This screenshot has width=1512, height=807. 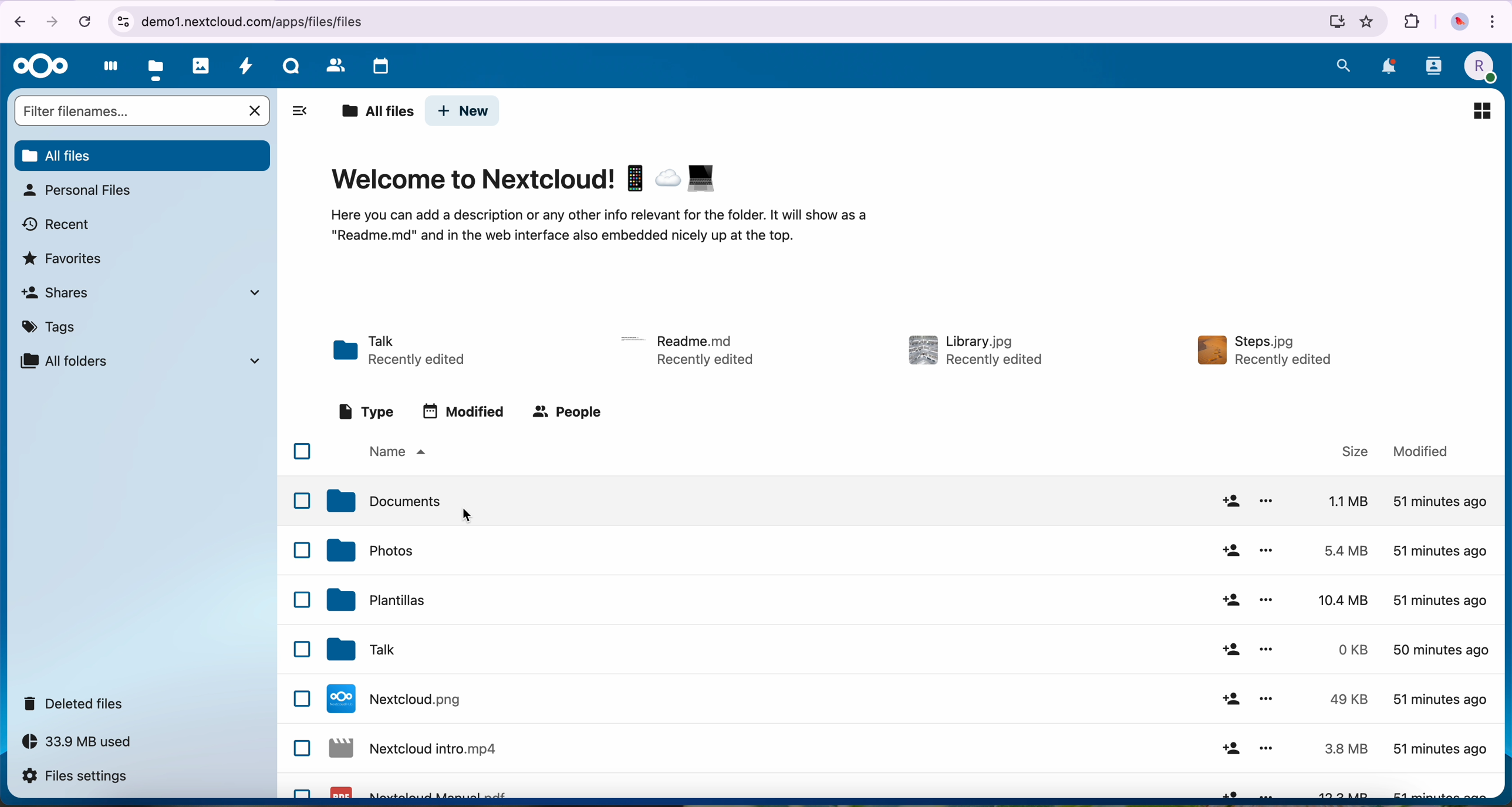 I want to click on talk, so click(x=366, y=649).